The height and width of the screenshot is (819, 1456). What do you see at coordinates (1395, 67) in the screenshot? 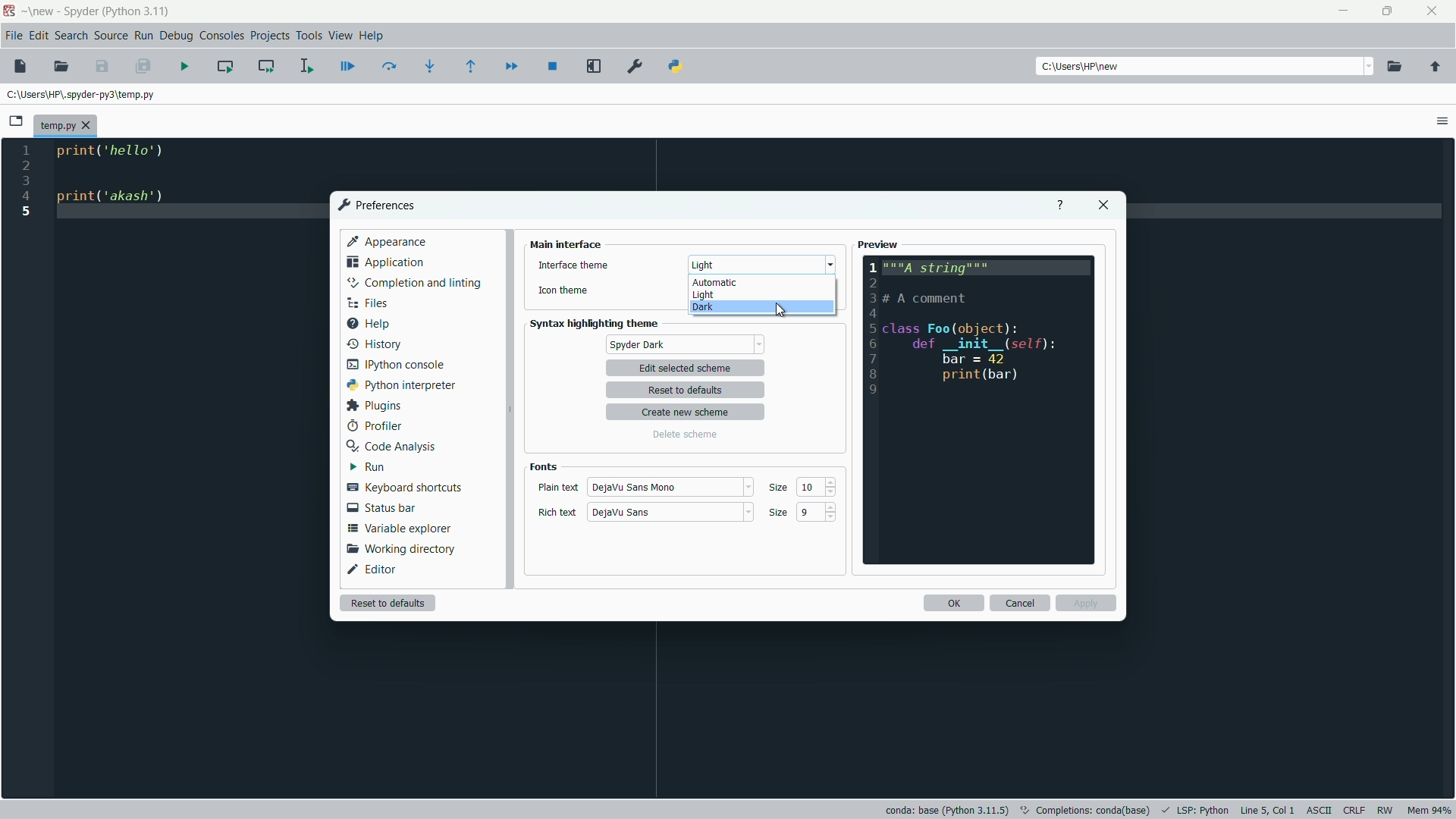
I see `browse directory` at bounding box center [1395, 67].